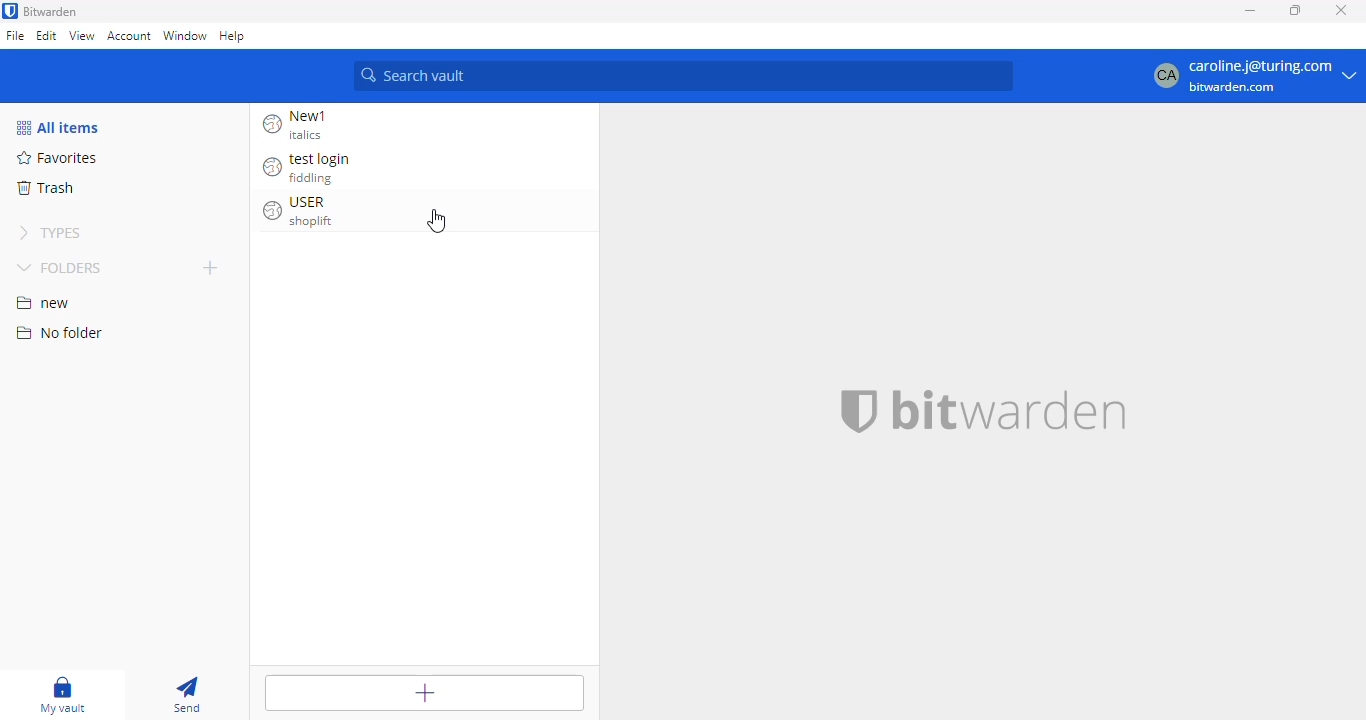 This screenshot has height=720, width=1366. Describe the element at coordinates (186, 692) in the screenshot. I see `send` at that location.